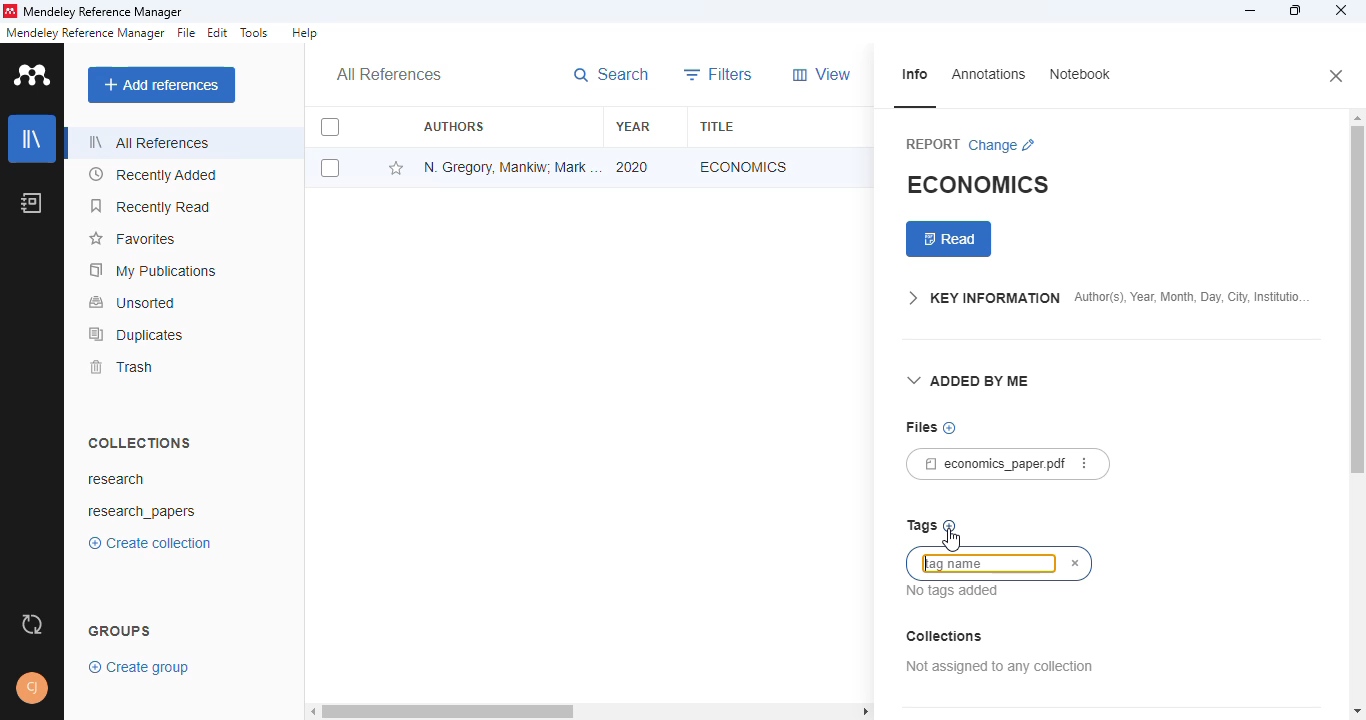 This screenshot has height=720, width=1366. What do you see at coordinates (954, 591) in the screenshot?
I see `no tags added` at bounding box center [954, 591].